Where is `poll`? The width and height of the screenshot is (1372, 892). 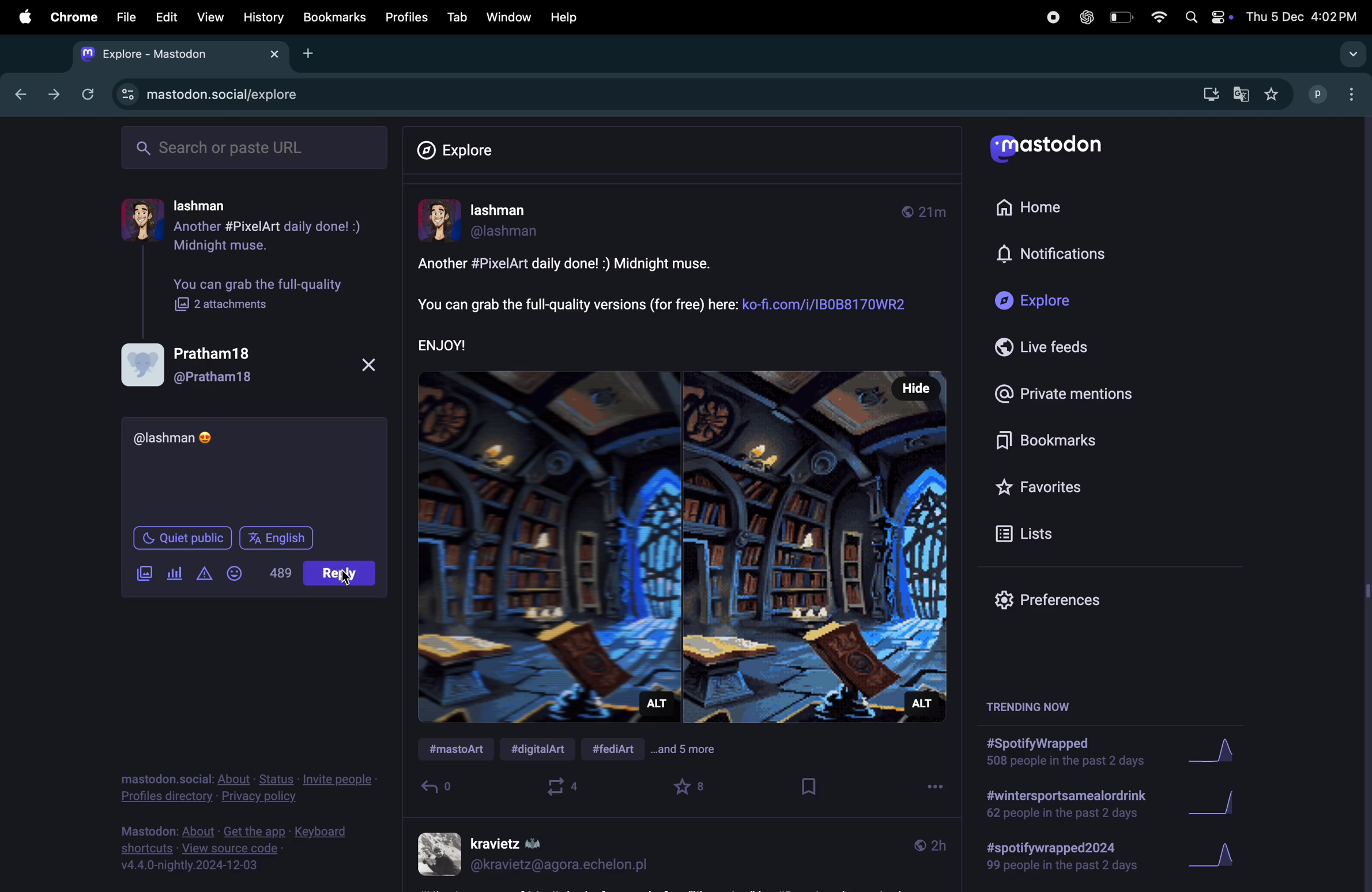
poll is located at coordinates (174, 574).